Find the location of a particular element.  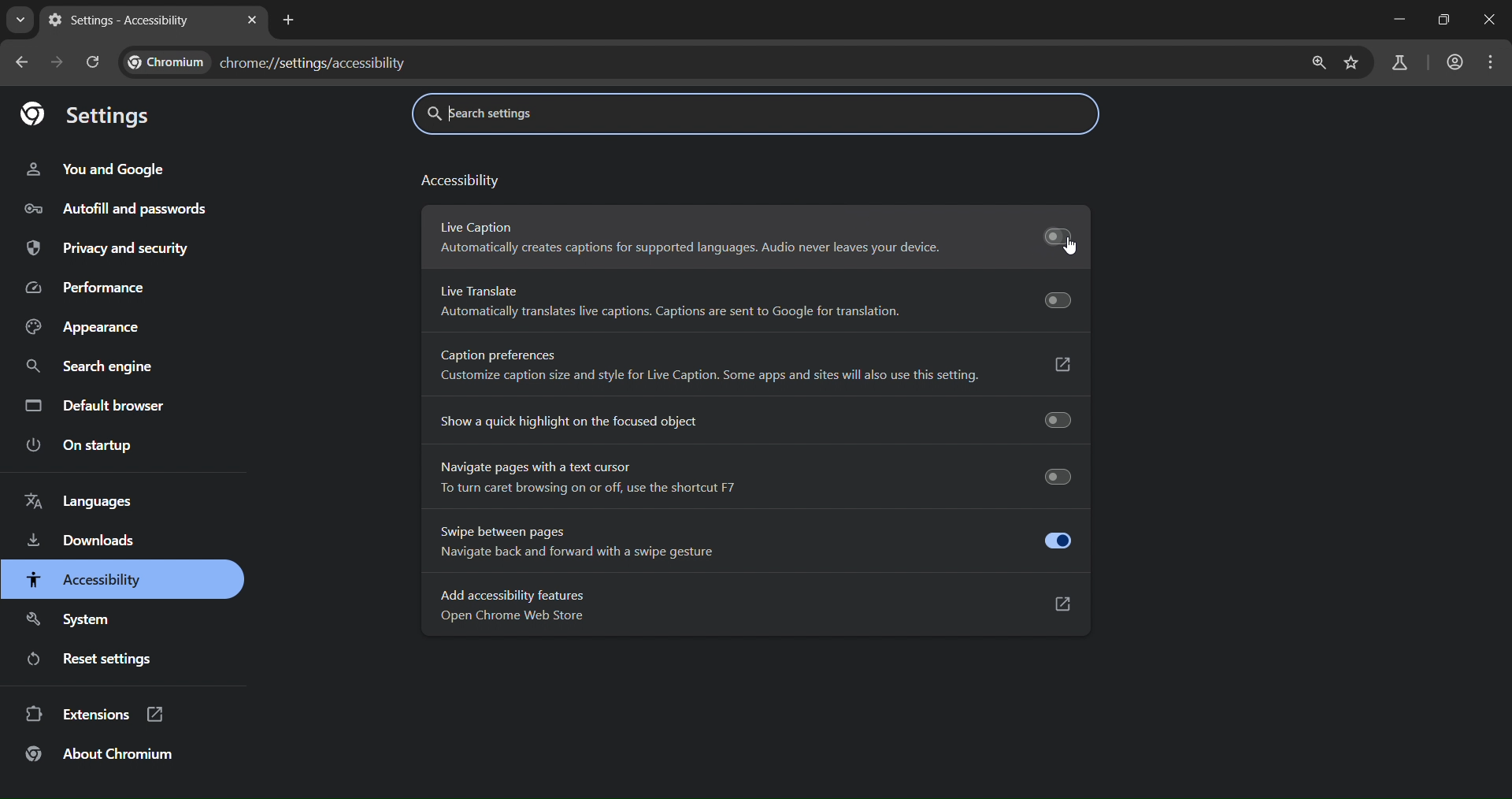

menu is located at coordinates (1490, 62).